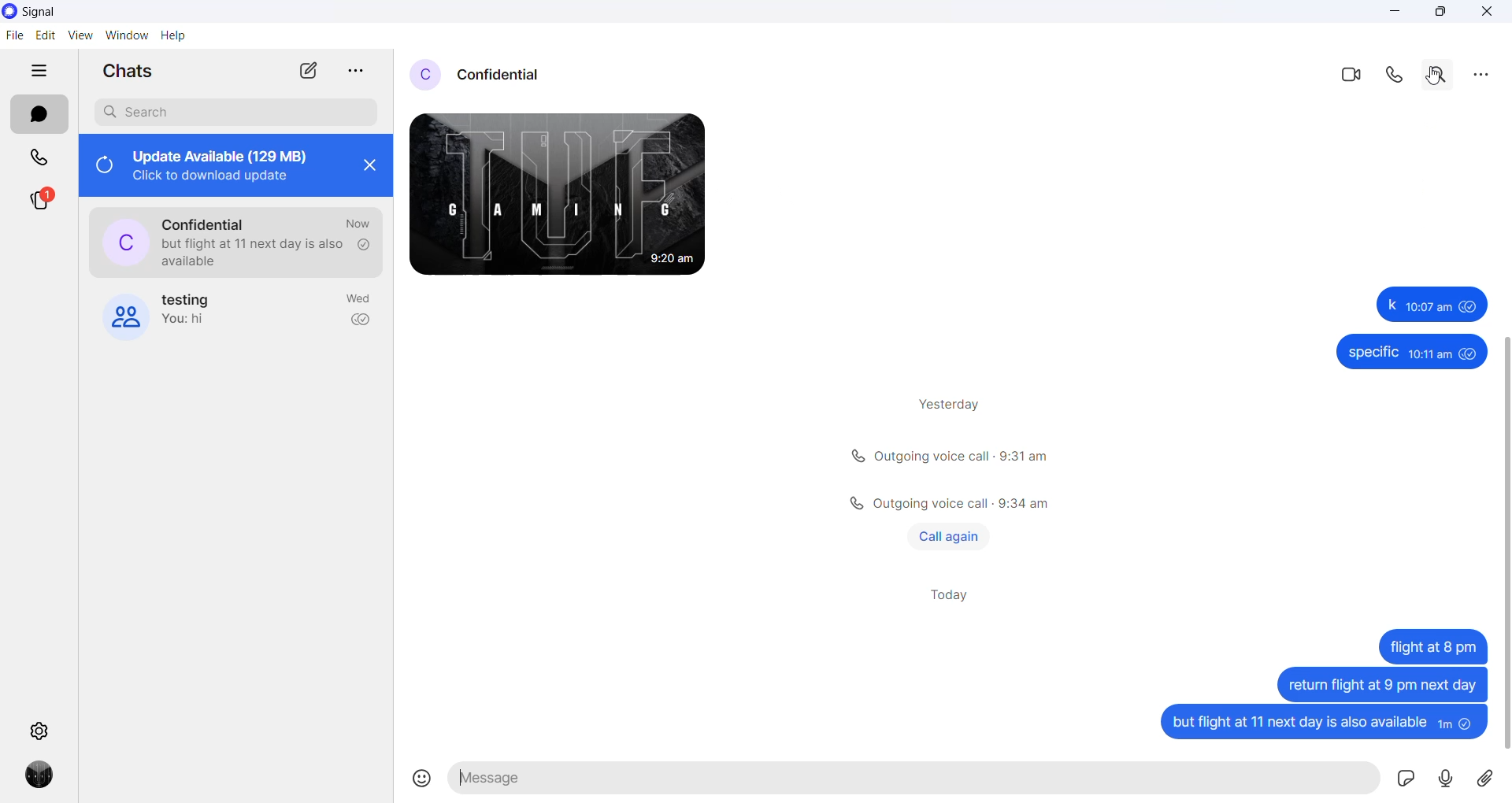 The image size is (1512, 803). What do you see at coordinates (369, 170) in the screenshot?
I see `close` at bounding box center [369, 170].